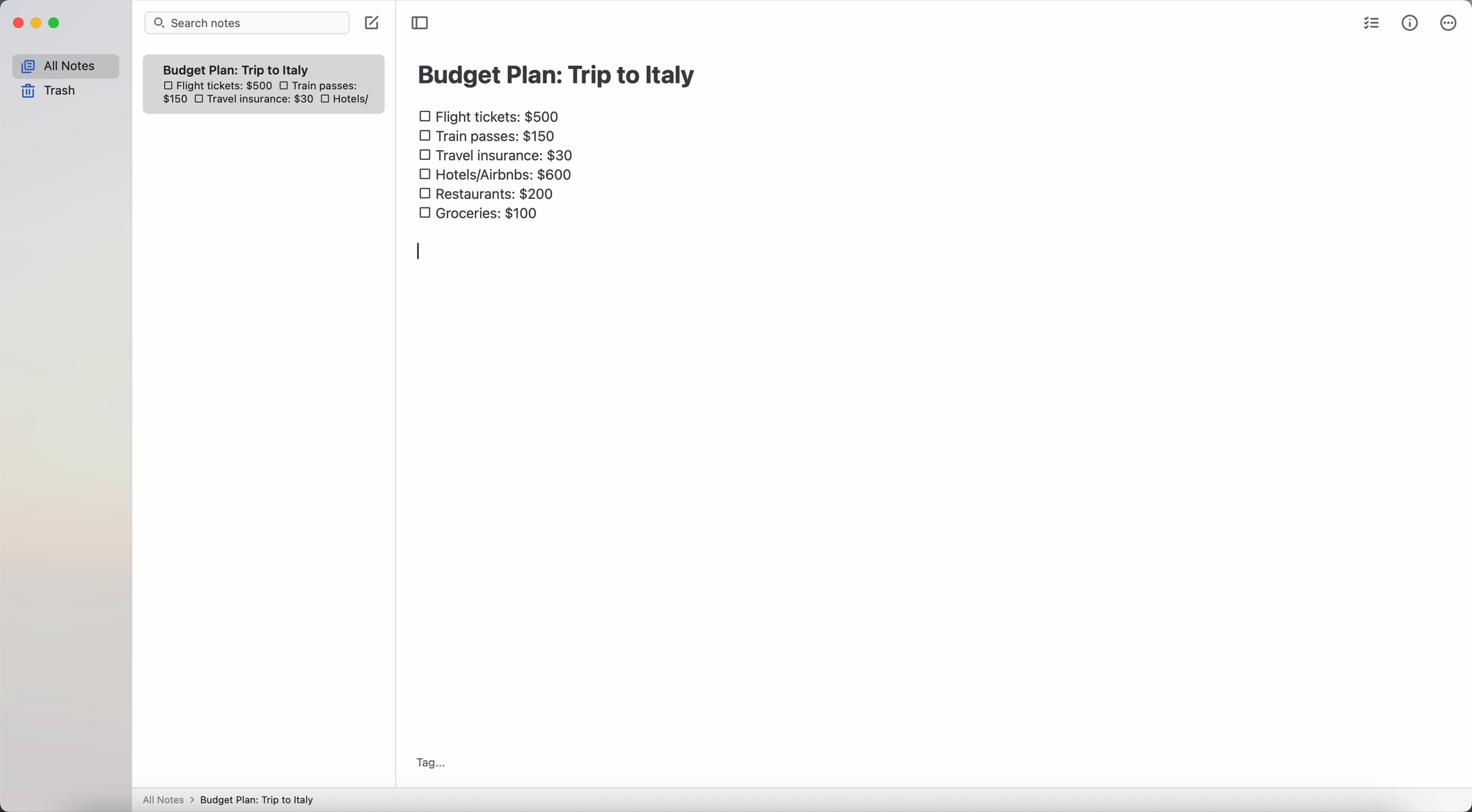  Describe the element at coordinates (174, 101) in the screenshot. I see `150` at that location.